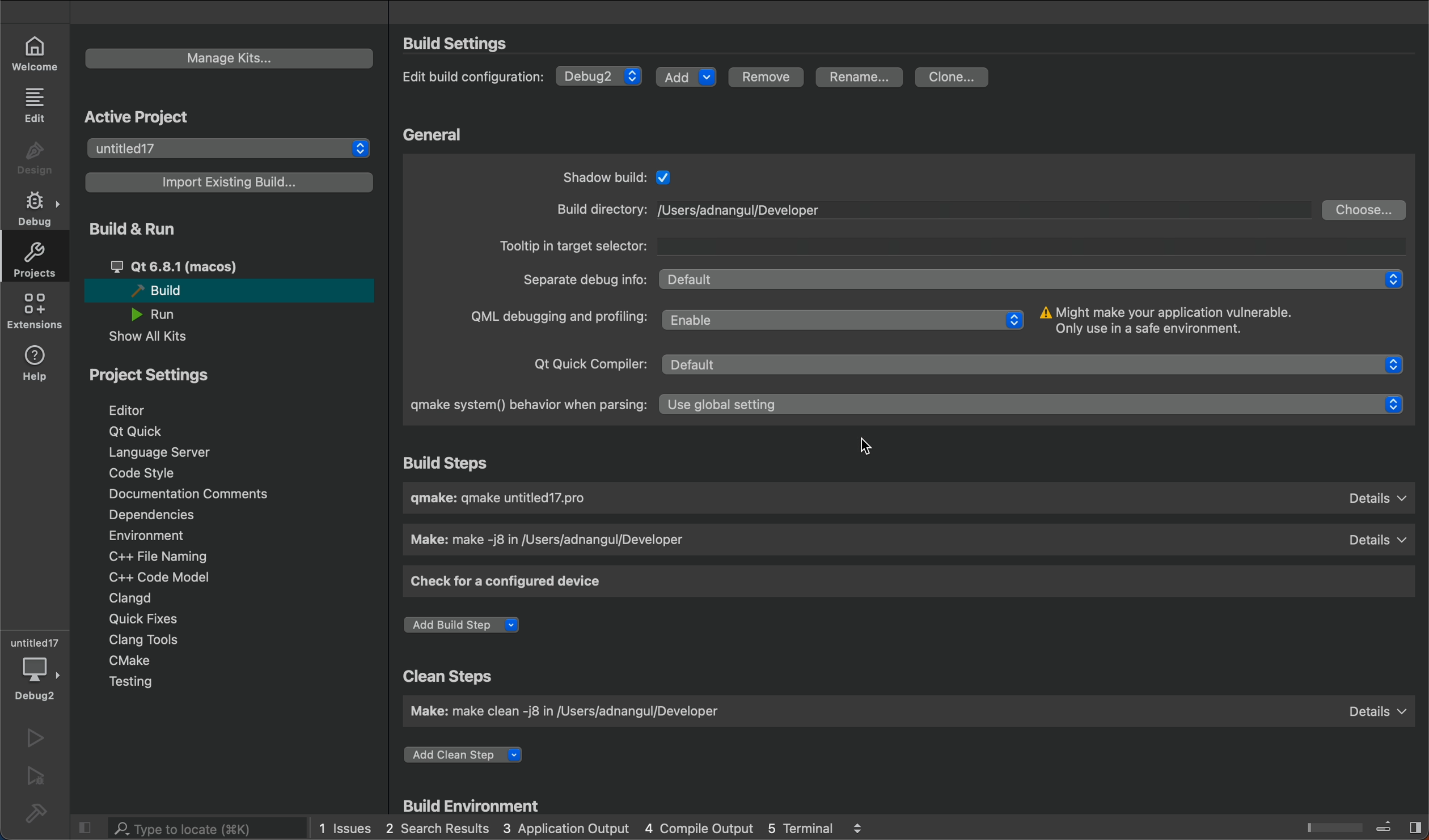  Describe the element at coordinates (141, 117) in the screenshot. I see `active projects` at that location.